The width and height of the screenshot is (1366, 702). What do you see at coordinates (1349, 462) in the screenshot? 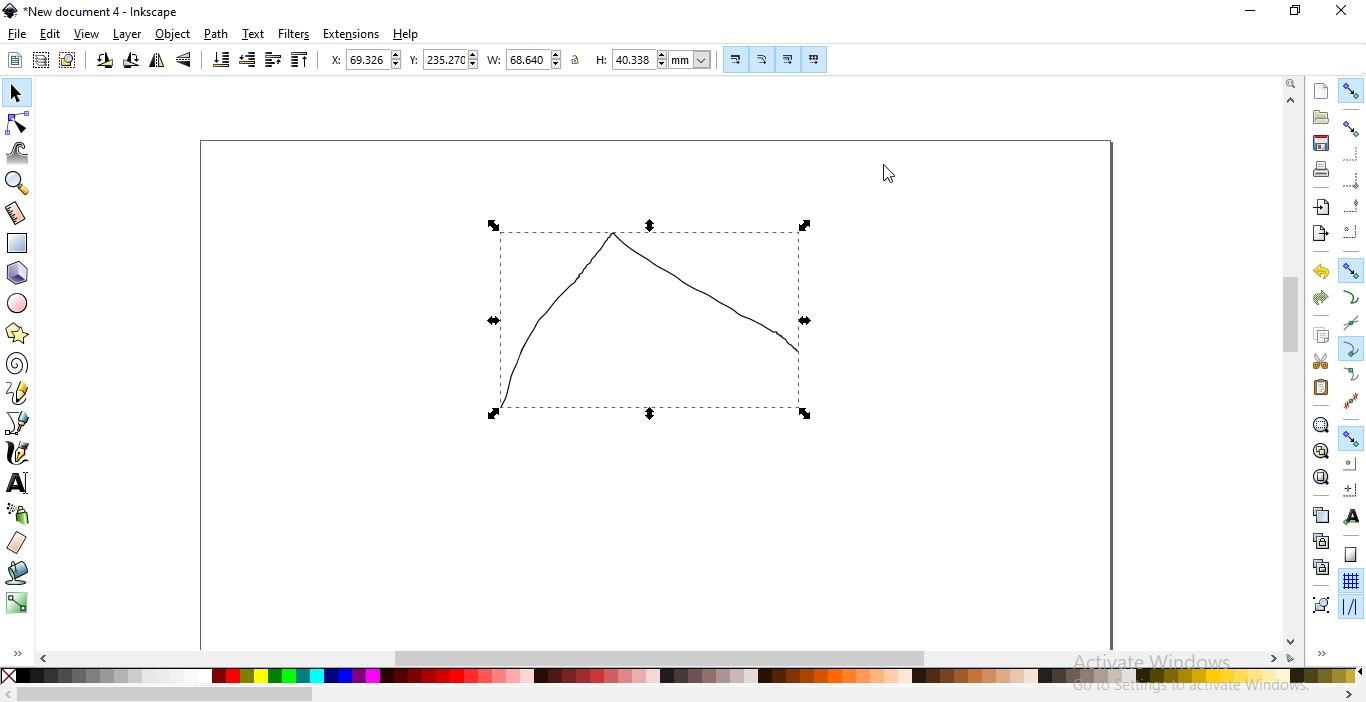
I see `snap centers of objects` at bounding box center [1349, 462].